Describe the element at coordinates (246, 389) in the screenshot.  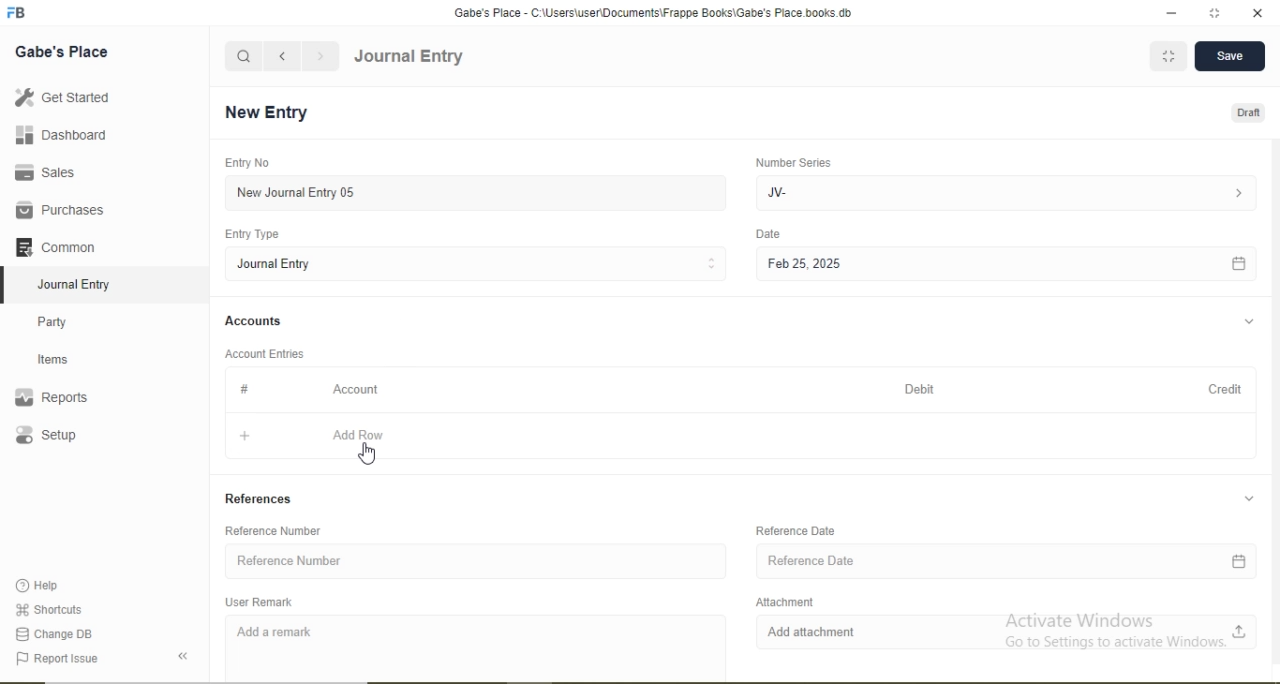
I see `` at that location.